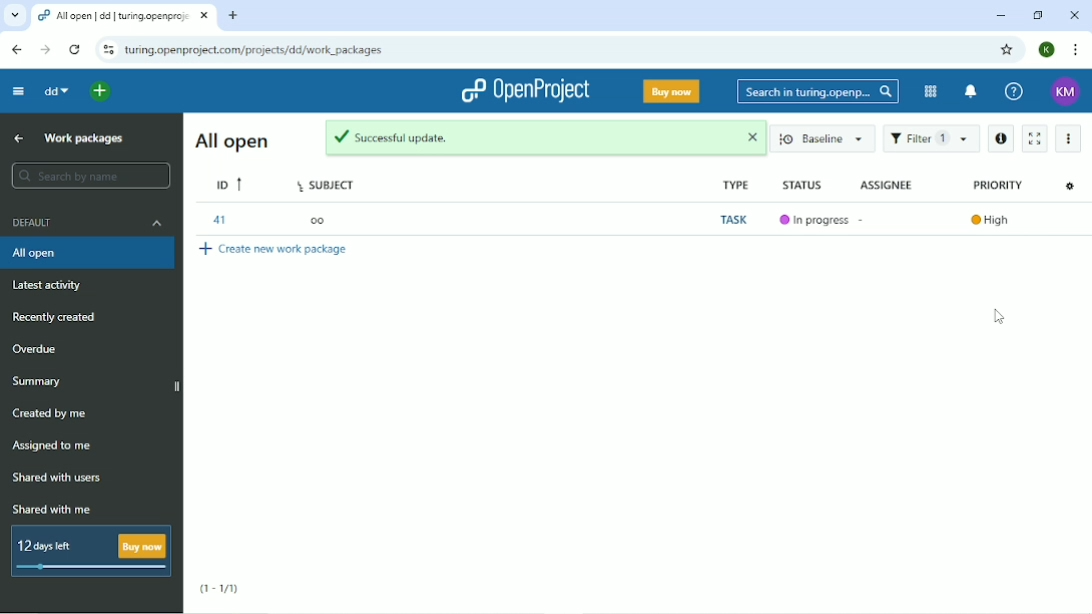 The width and height of the screenshot is (1092, 614). What do you see at coordinates (255, 52) in the screenshot?
I see `Site address` at bounding box center [255, 52].